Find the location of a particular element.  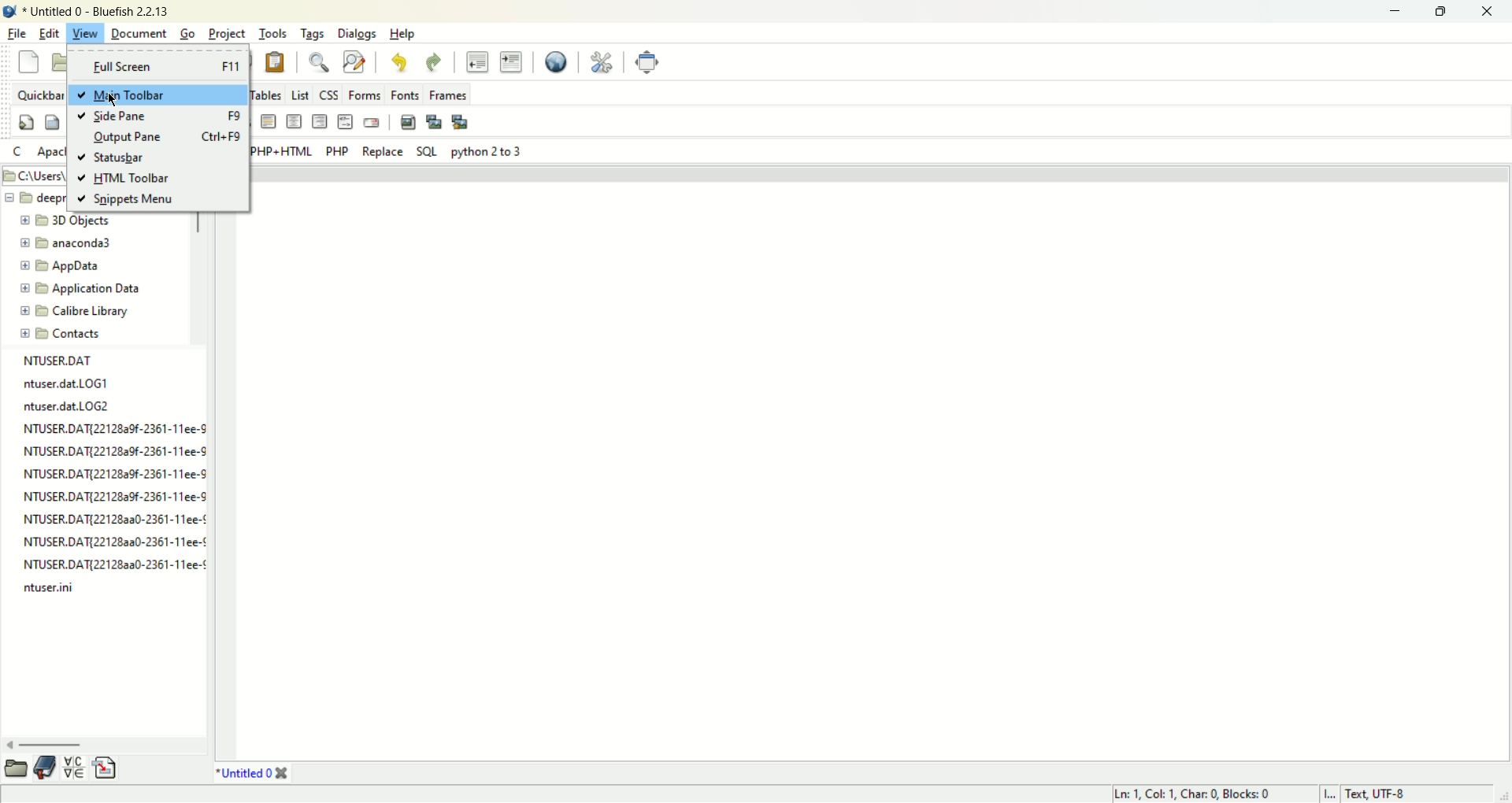

anaconda is located at coordinates (67, 243).